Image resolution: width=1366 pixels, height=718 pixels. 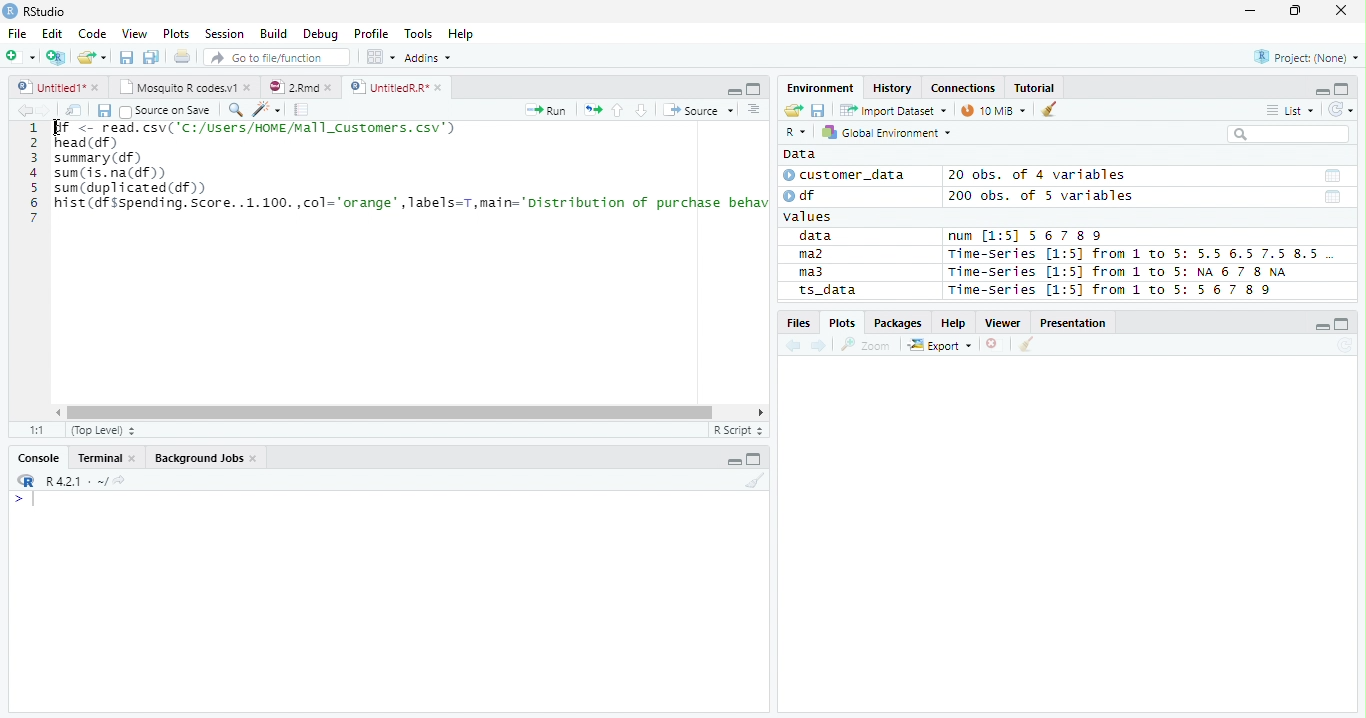 What do you see at coordinates (234, 109) in the screenshot?
I see `Find/Replace` at bounding box center [234, 109].